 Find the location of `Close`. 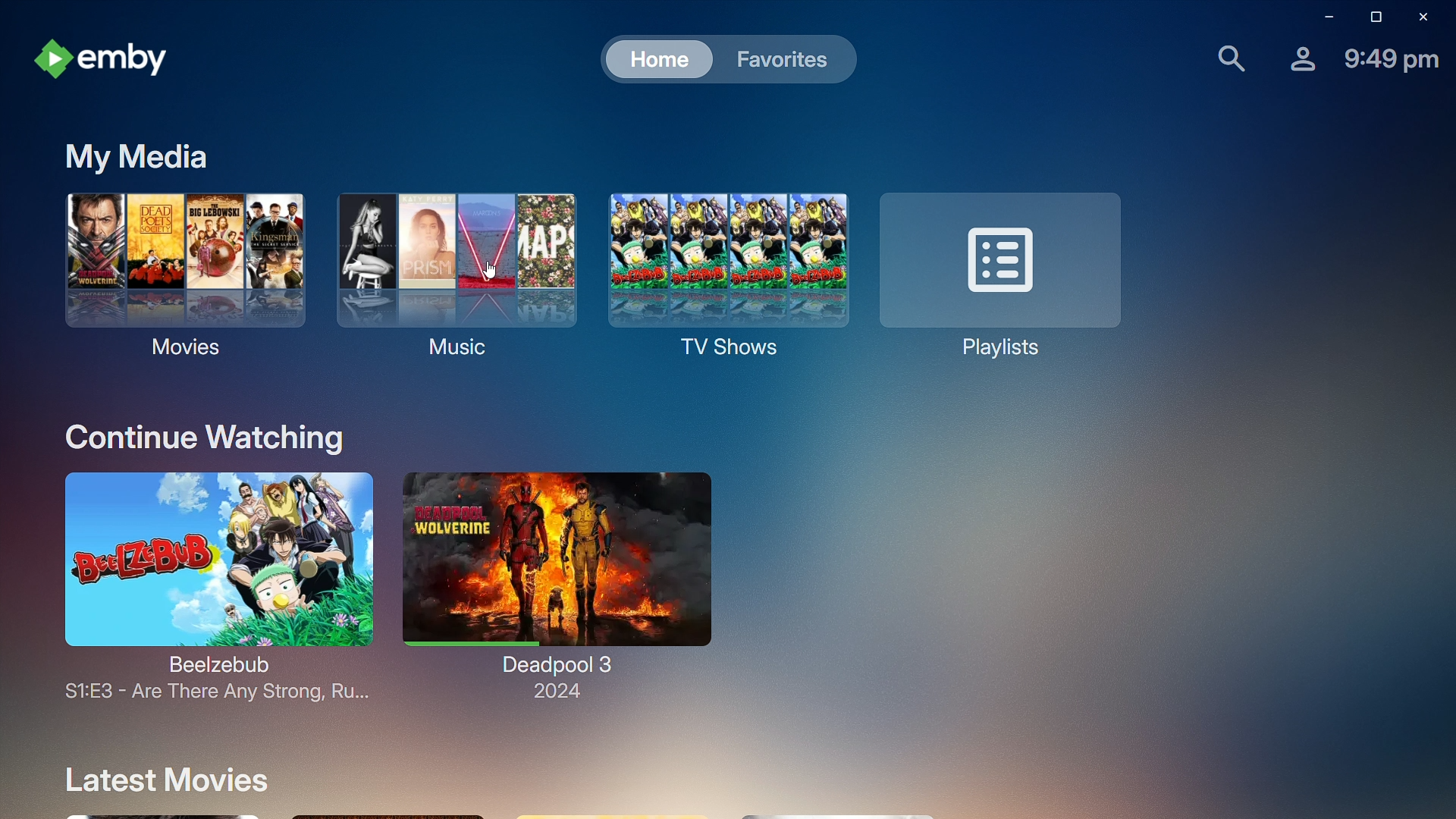

Close is located at coordinates (1421, 16).